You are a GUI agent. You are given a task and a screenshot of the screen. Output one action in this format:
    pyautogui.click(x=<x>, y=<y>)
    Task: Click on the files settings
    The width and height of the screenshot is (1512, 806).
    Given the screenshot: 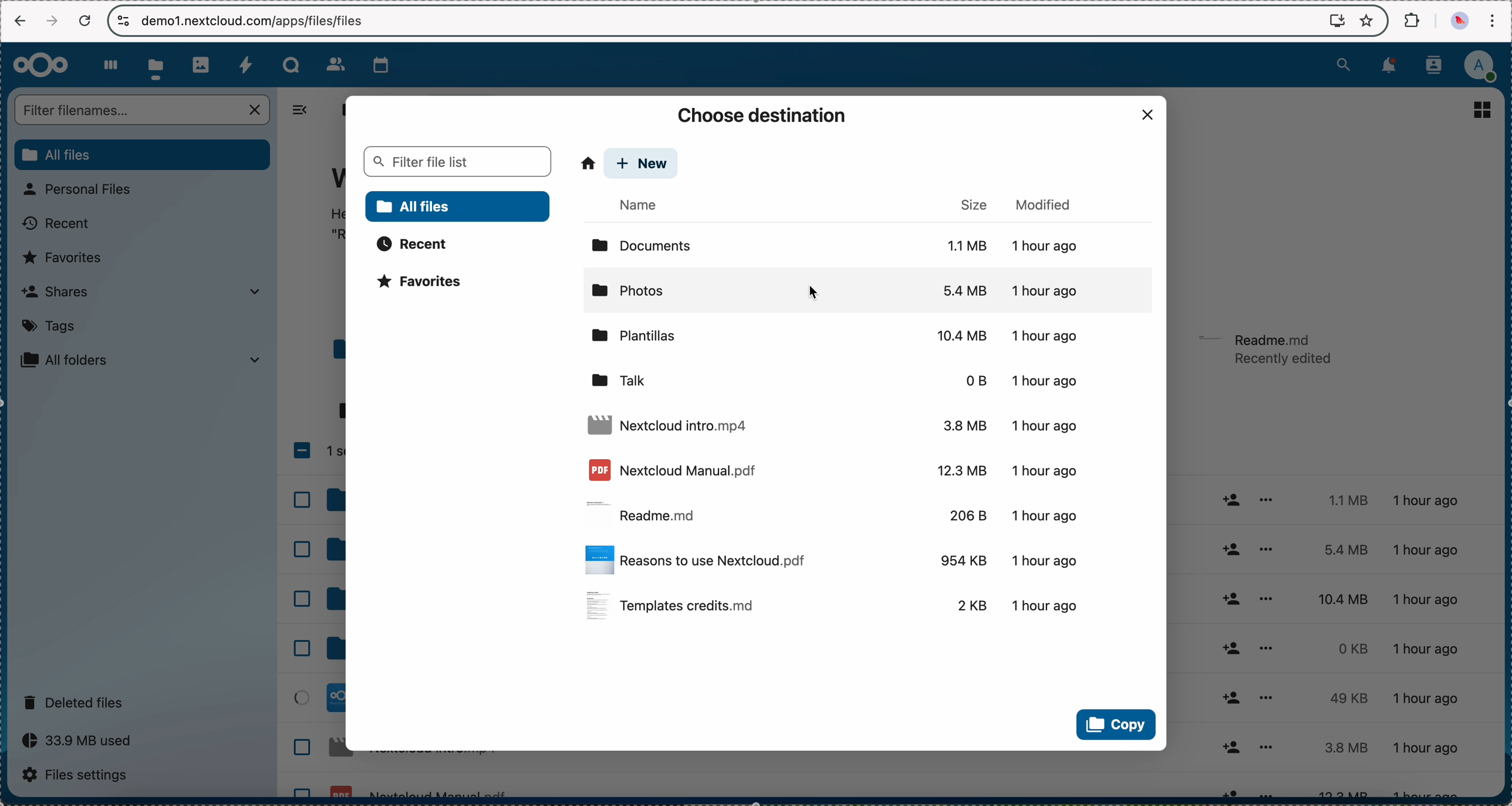 What is the action you would take?
    pyautogui.click(x=78, y=775)
    